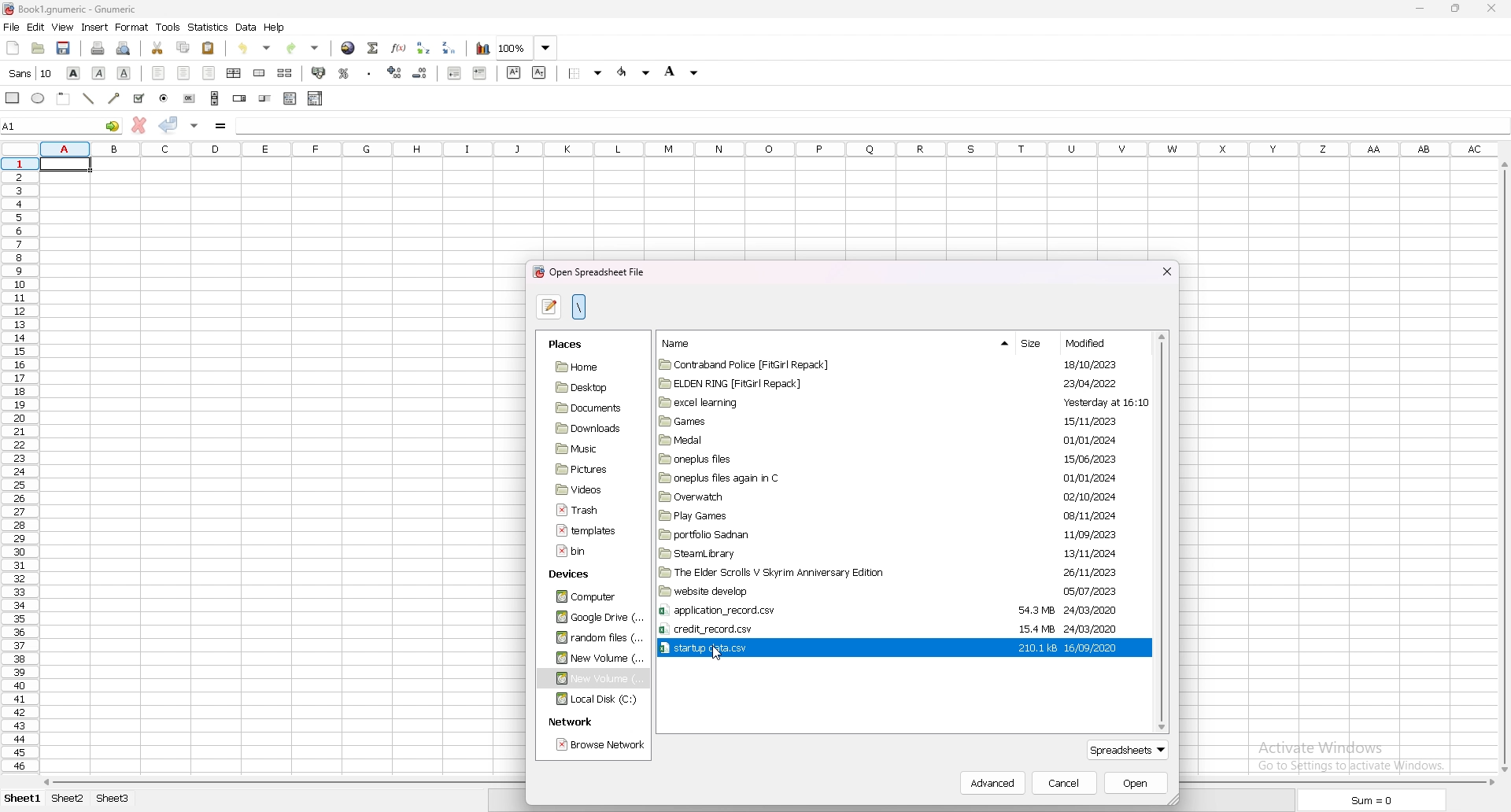  Describe the element at coordinates (235, 73) in the screenshot. I see `centre horizontally` at that location.